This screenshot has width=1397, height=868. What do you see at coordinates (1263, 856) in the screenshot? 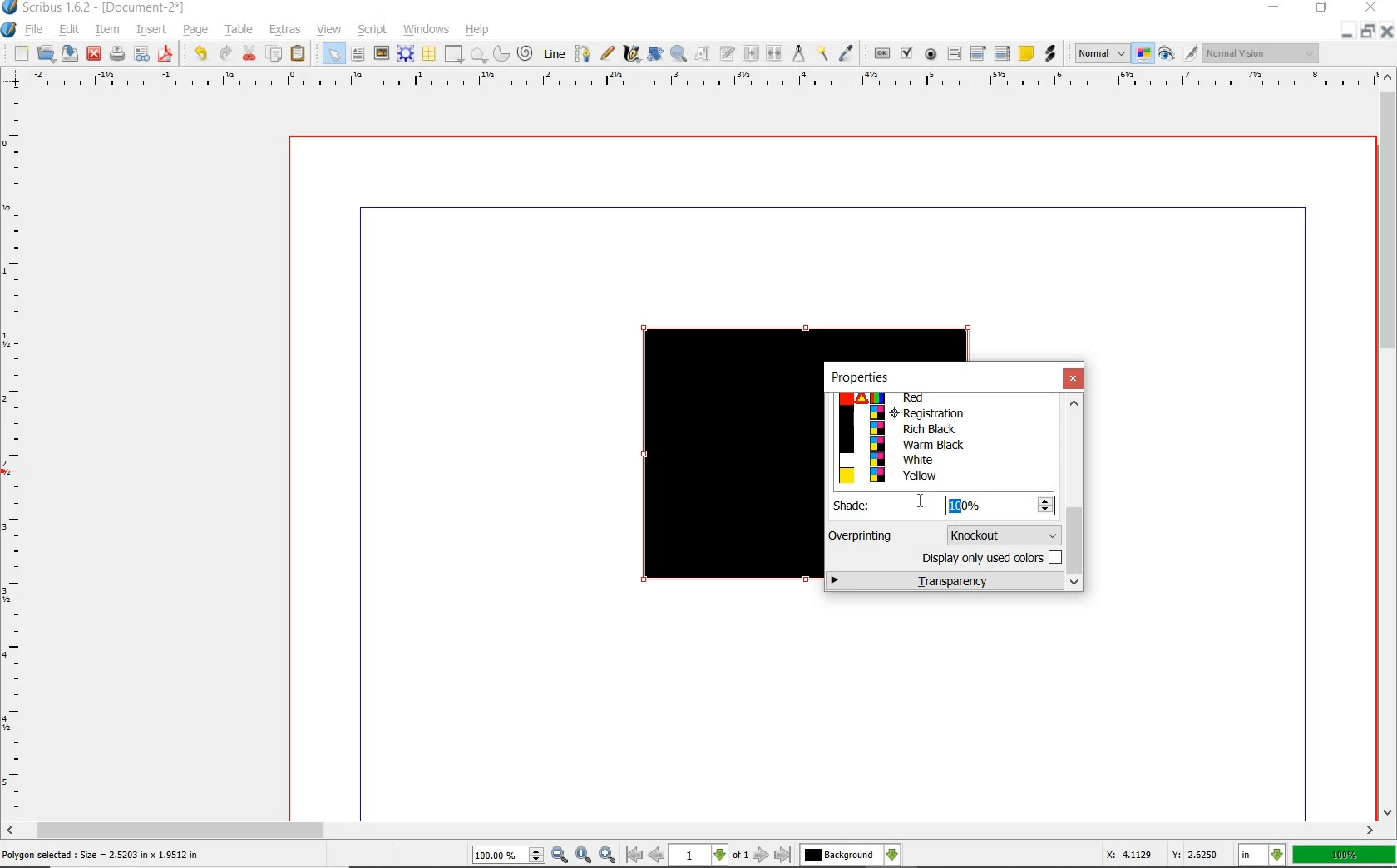
I see `select the current unit` at bounding box center [1263, 856].